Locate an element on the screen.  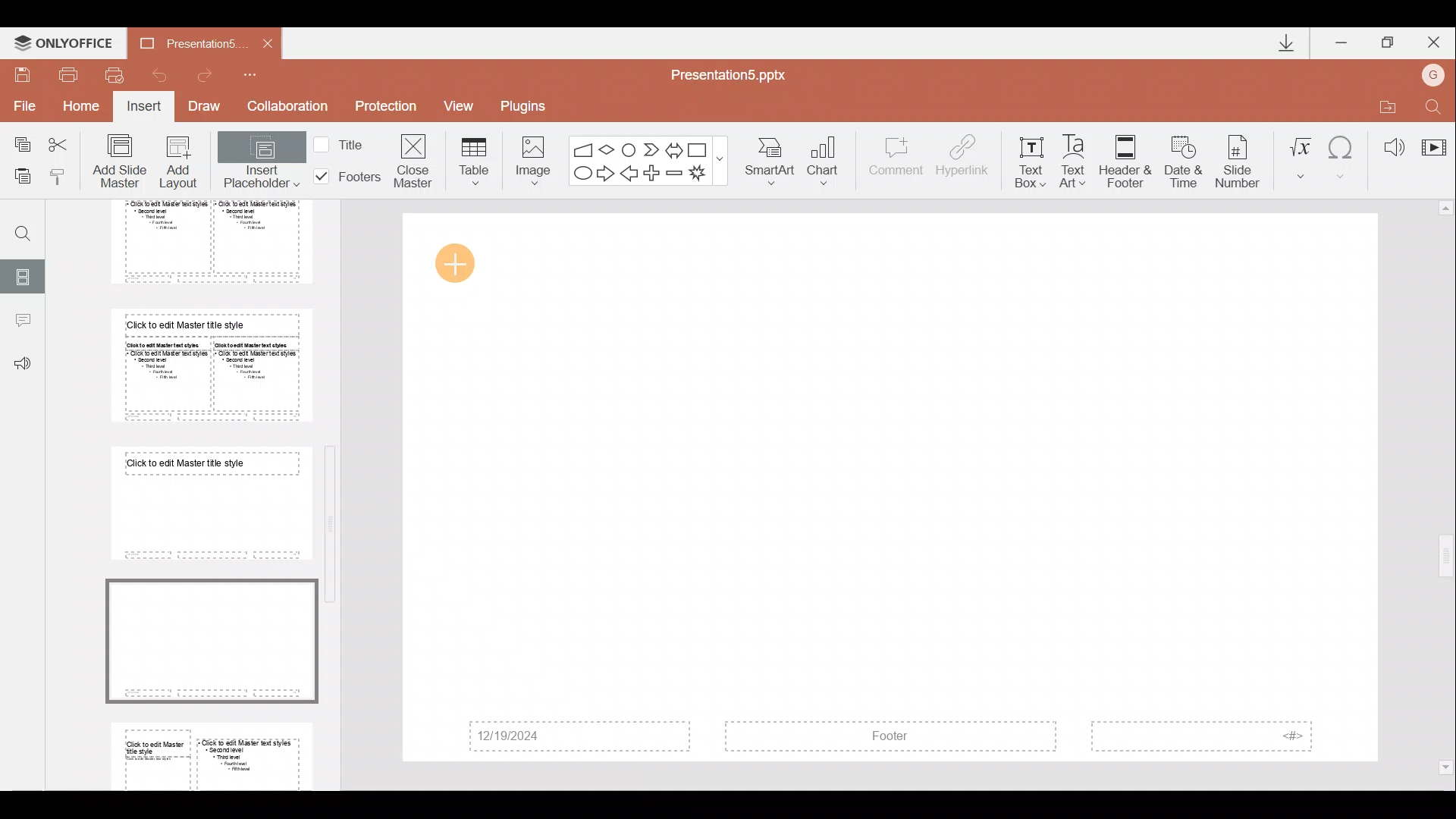
Slide 6 is located at coordinates (206, 365).